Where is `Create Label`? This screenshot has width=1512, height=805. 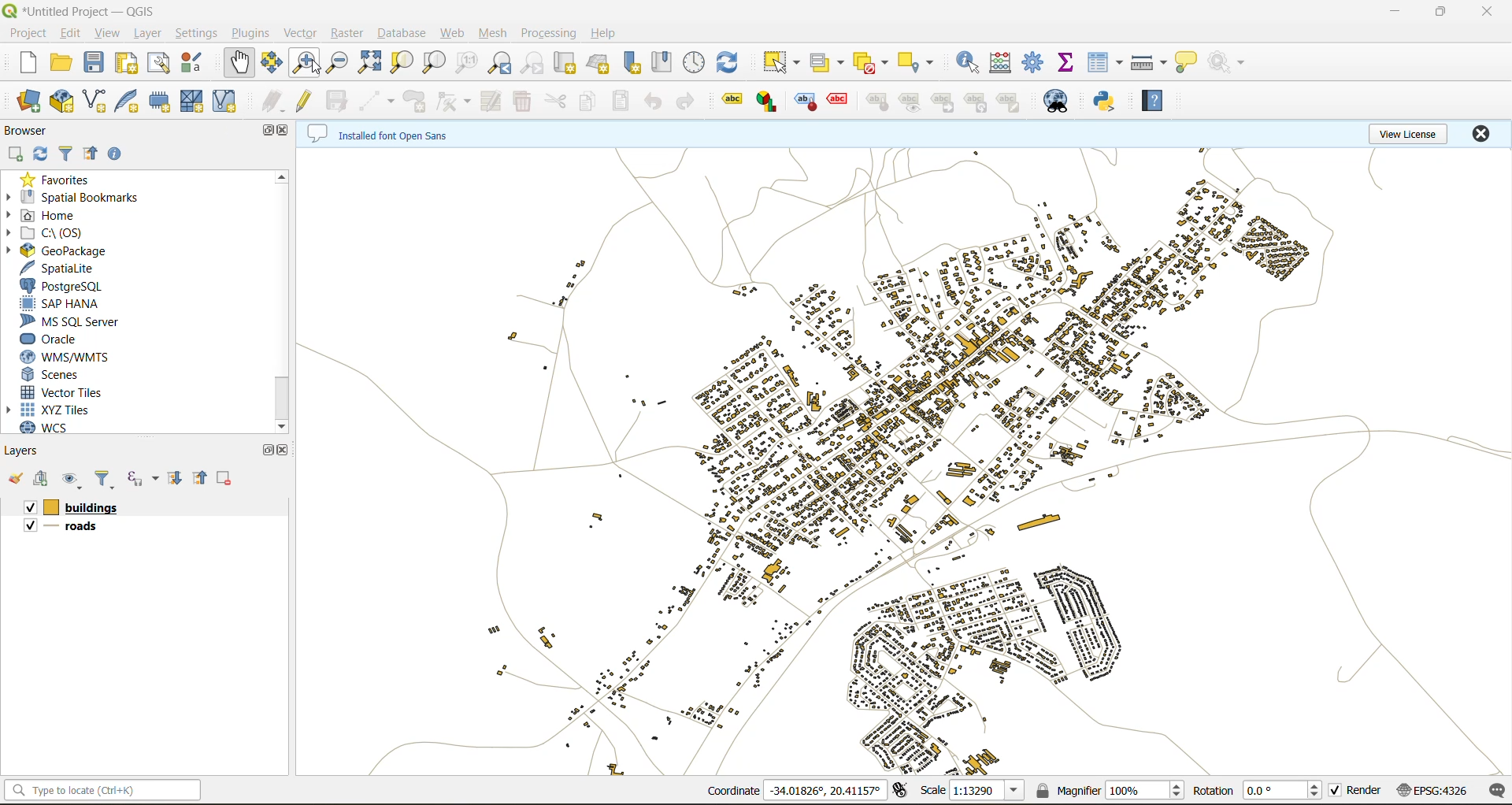 Create Label is located at coordinates (806, 104).